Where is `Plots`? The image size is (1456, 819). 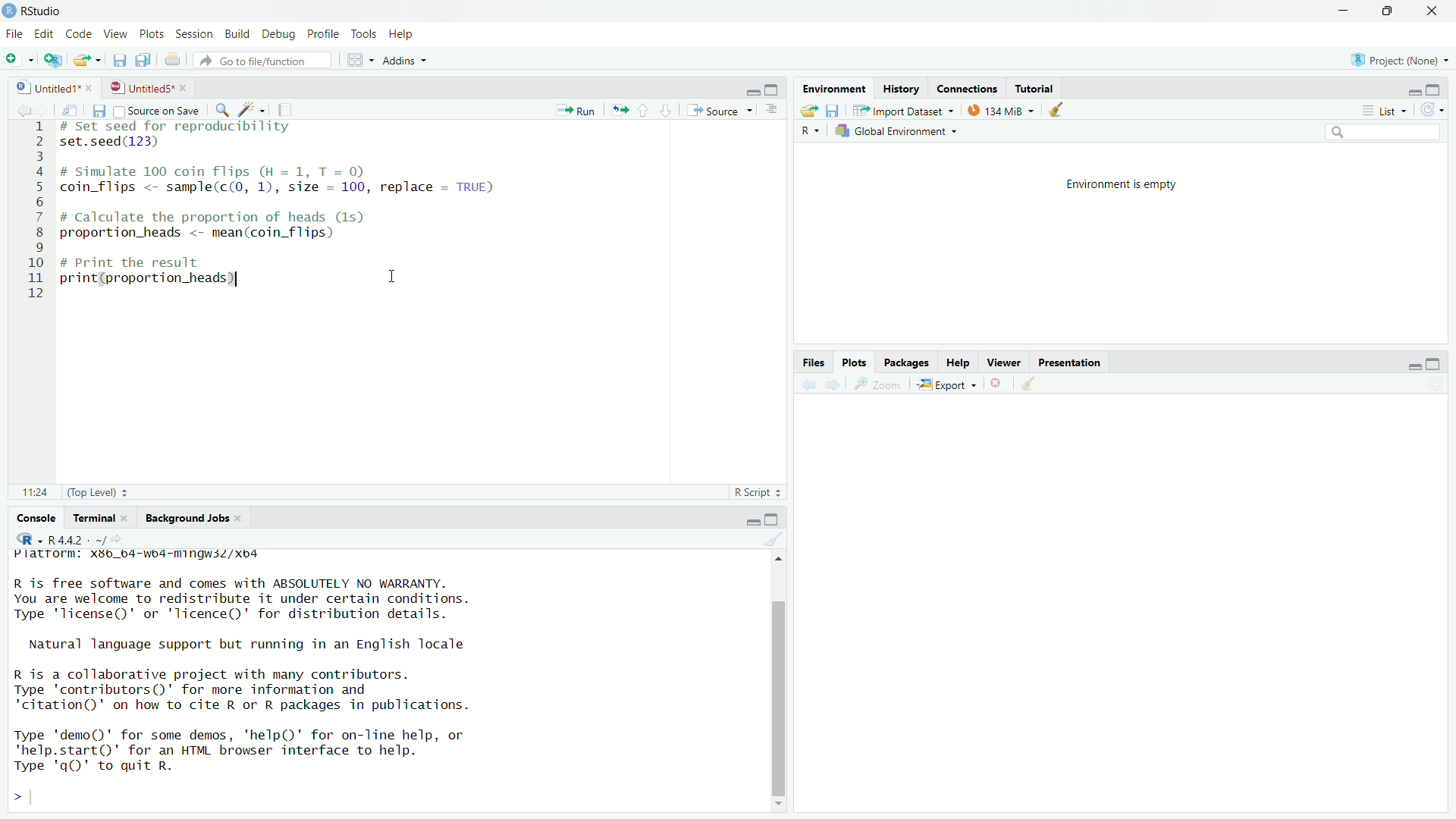
Plots is located at coordinates (855, 364).